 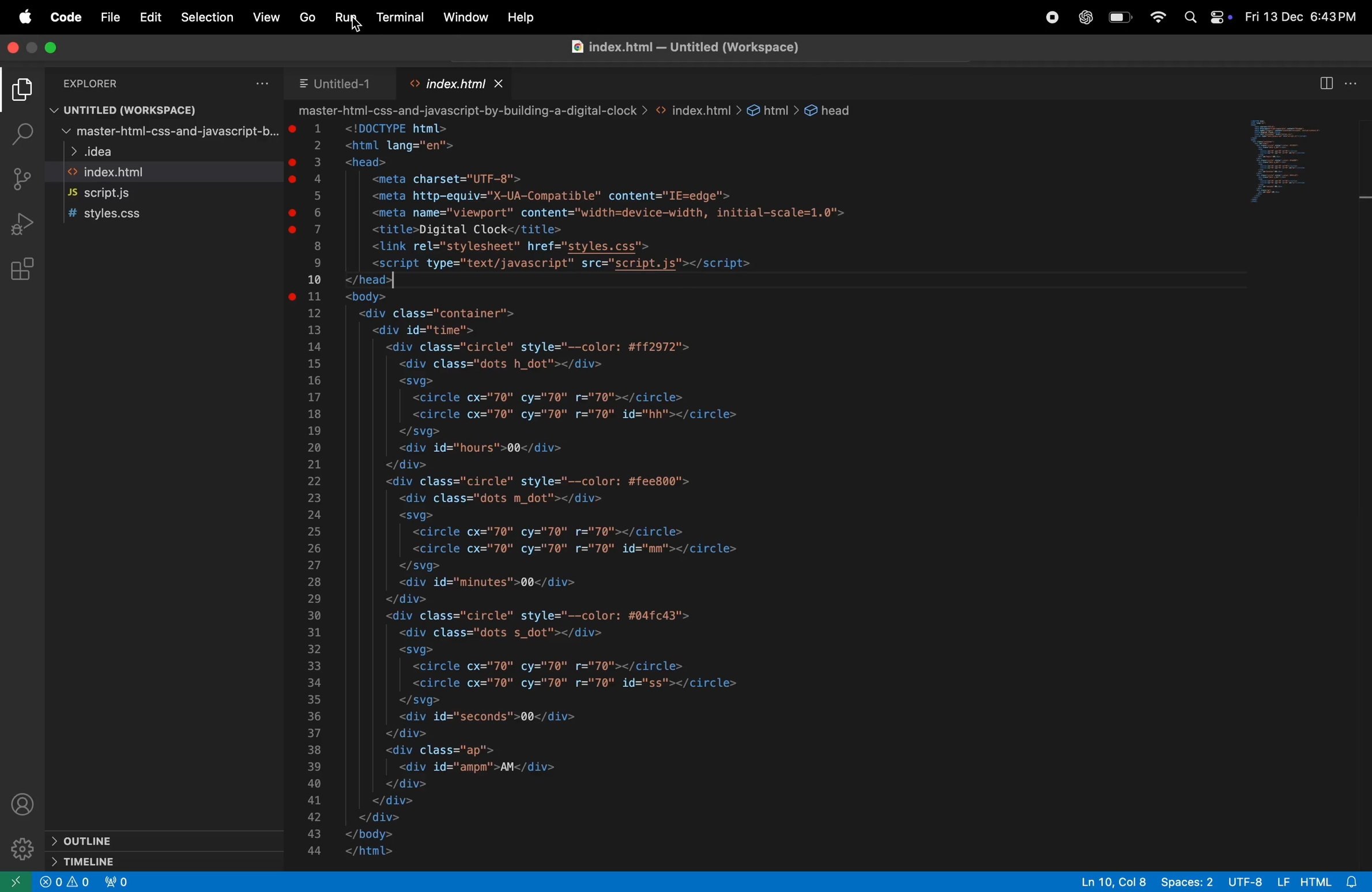 What do you see at coordinates (692, 46) in the screenshot?
I see `index.html file page title` at bounding box center [692, 46].